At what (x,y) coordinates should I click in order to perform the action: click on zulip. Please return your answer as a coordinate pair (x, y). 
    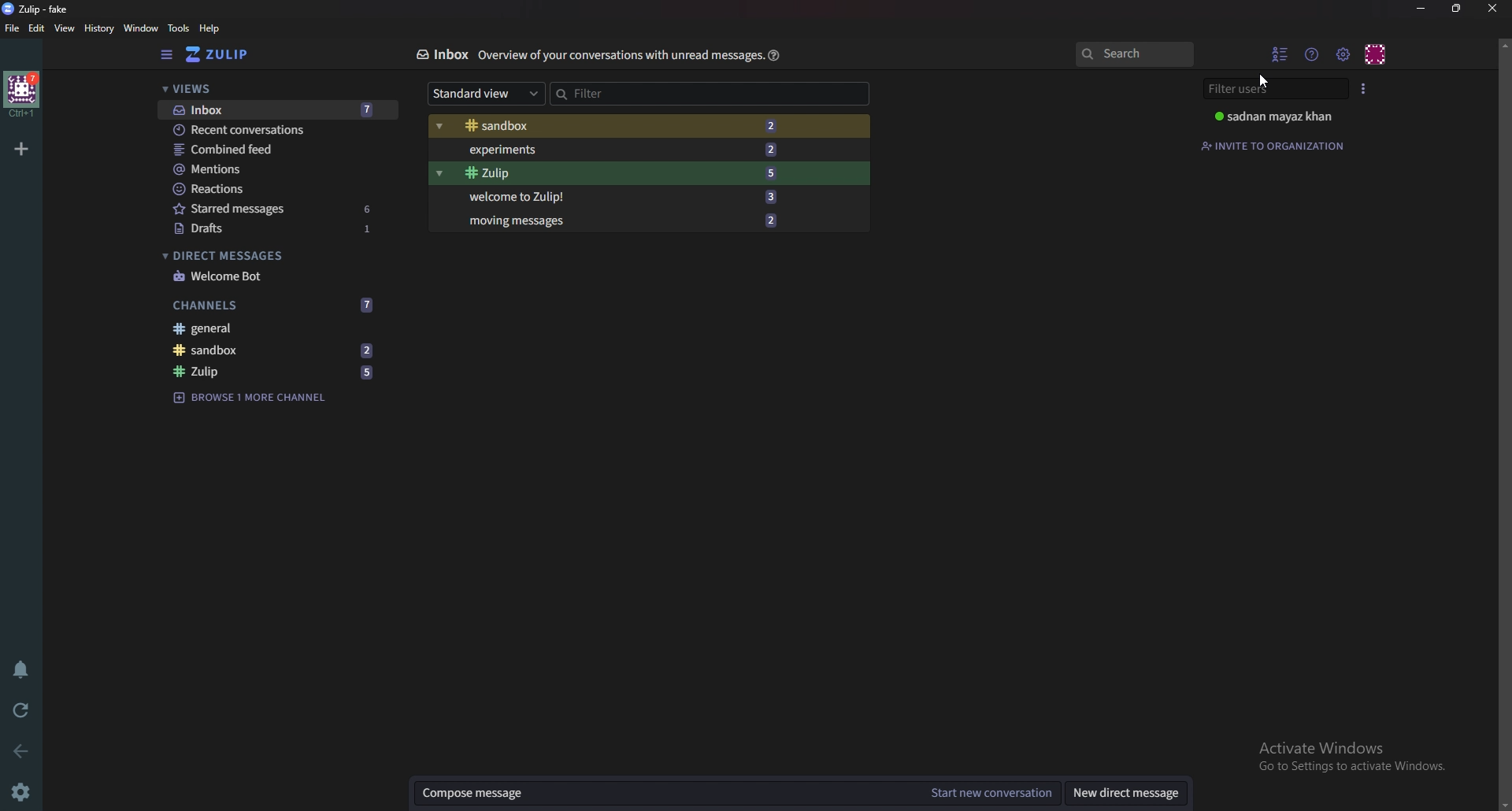
    Looking at the image, I should click on (39, 9).